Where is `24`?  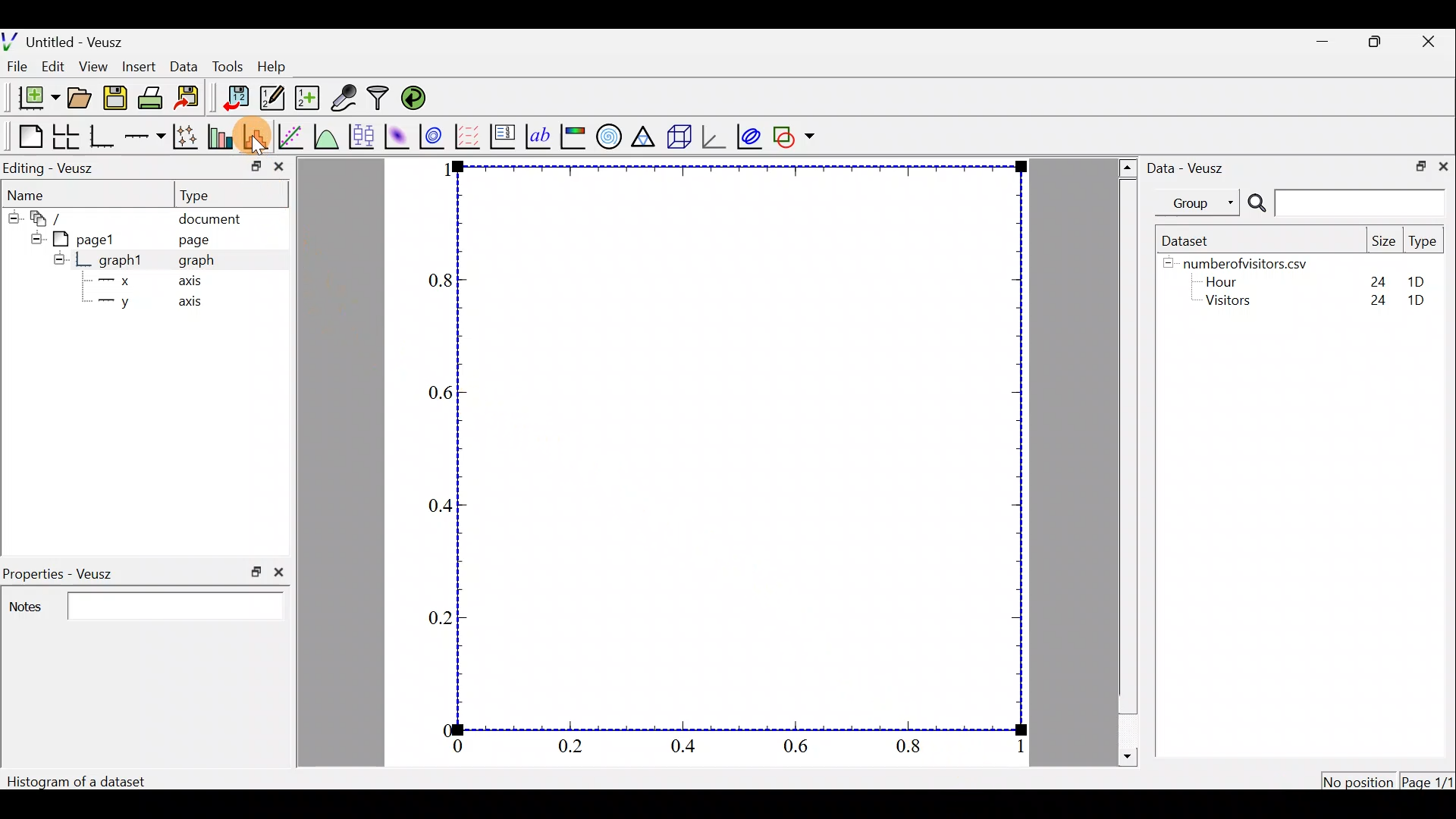
24 is located at coordinates (1370, 278).